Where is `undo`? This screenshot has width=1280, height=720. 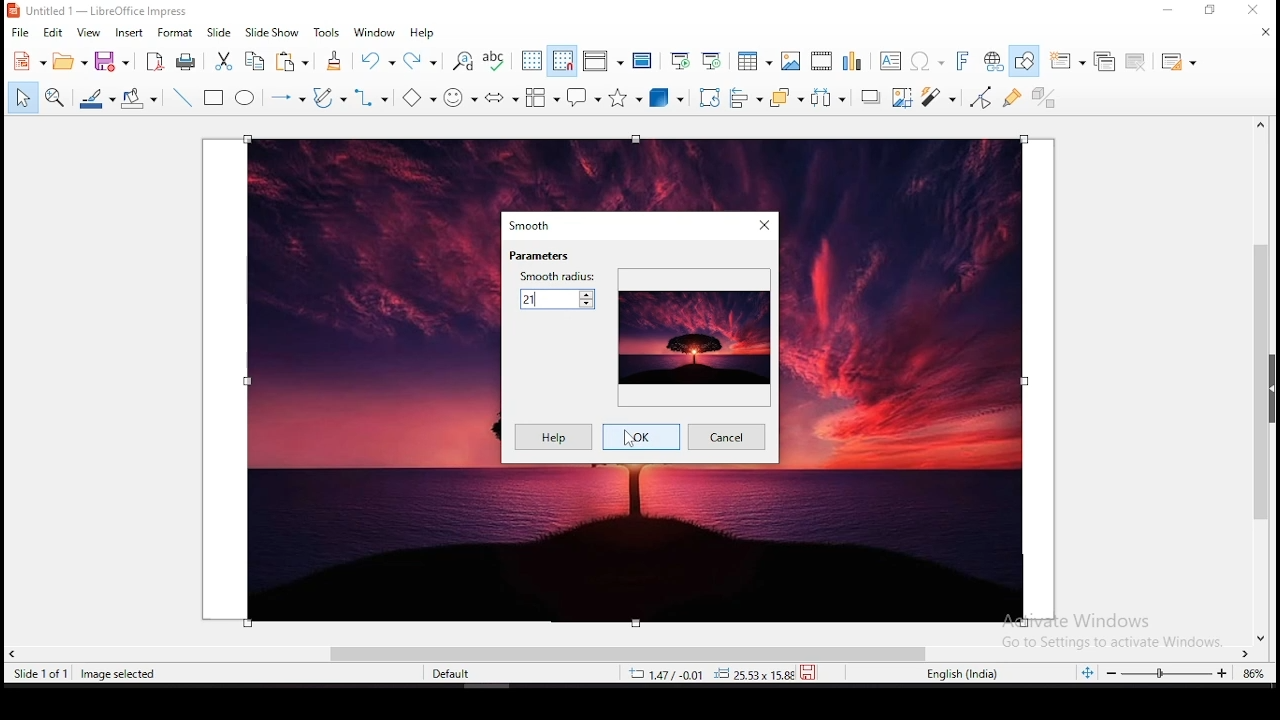 undo is located at coordinates (379, 61).